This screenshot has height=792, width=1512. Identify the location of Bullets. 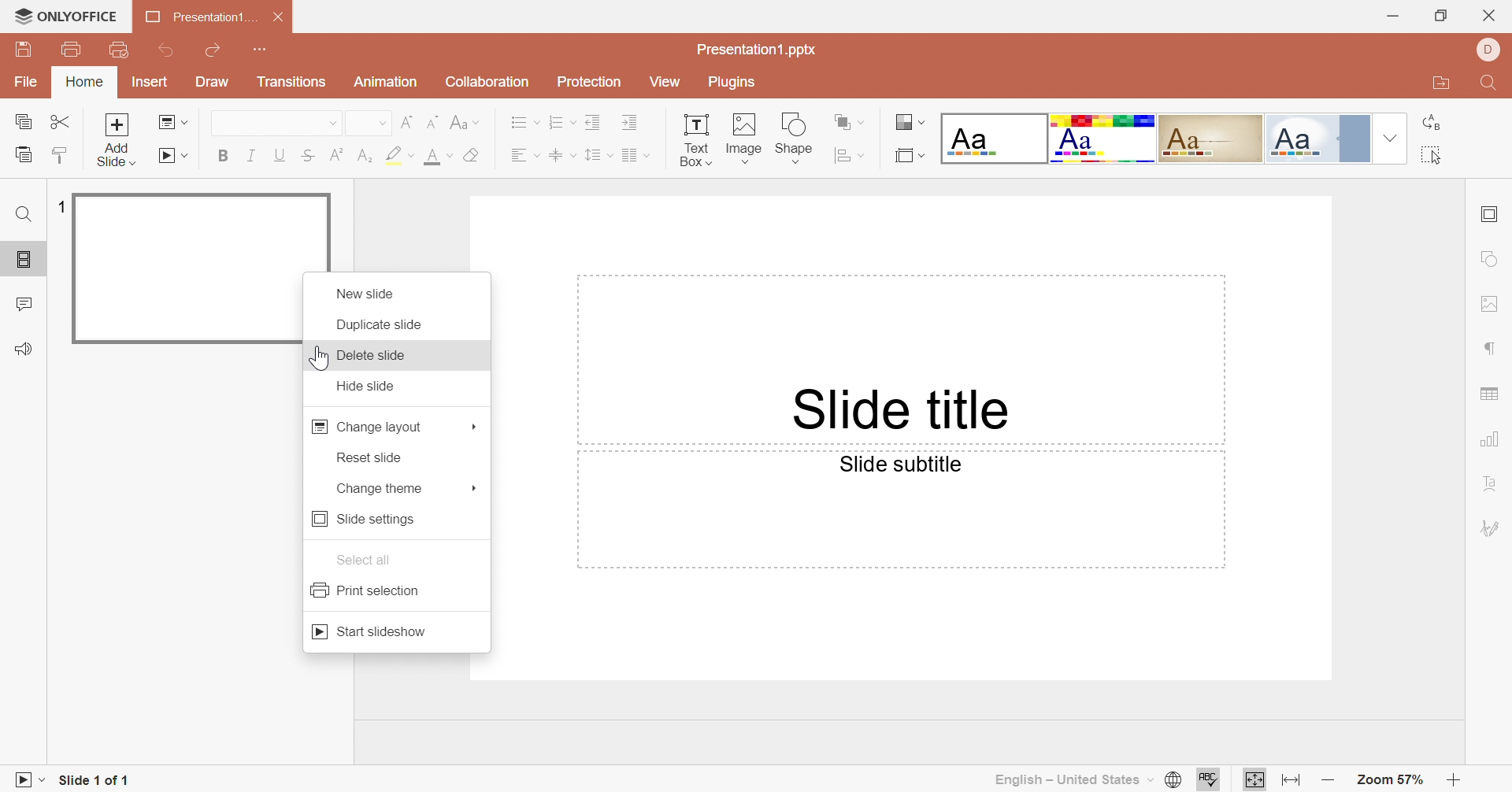
(518, 123).